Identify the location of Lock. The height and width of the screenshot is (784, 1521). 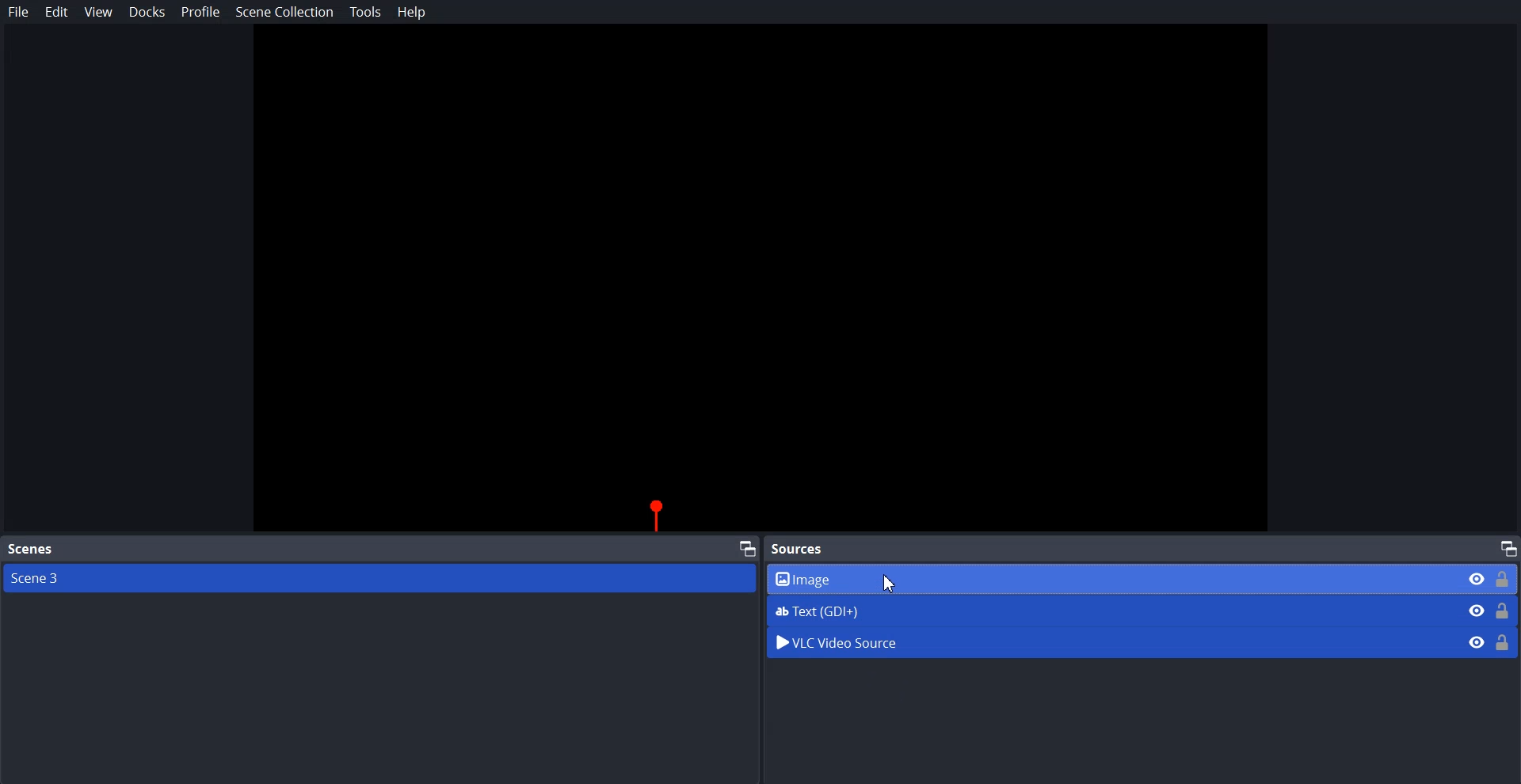
(1504, 641).